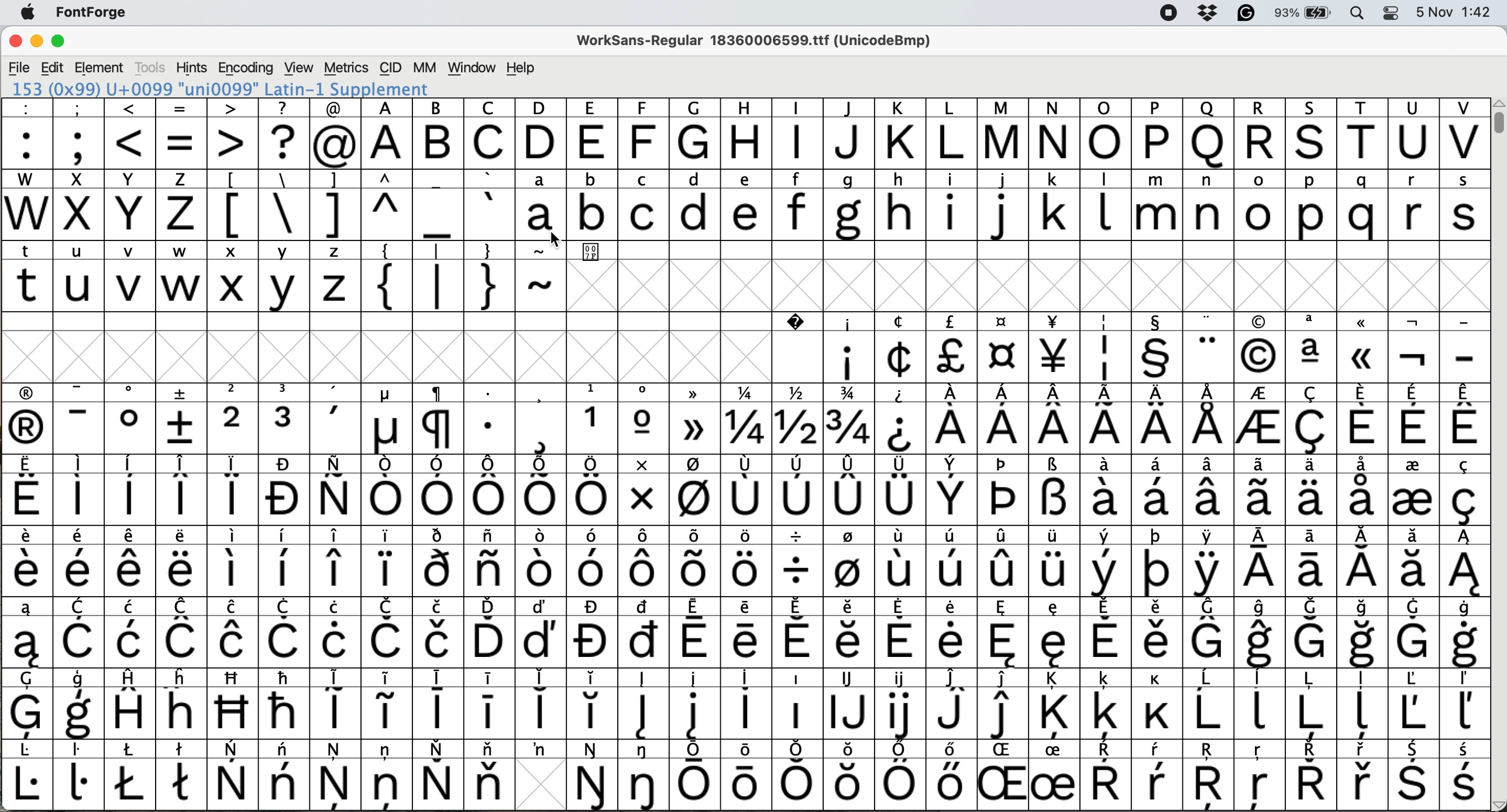 The width and height of the screenshot is (1507, 812). I want to click on symbol, so click(232, 632).